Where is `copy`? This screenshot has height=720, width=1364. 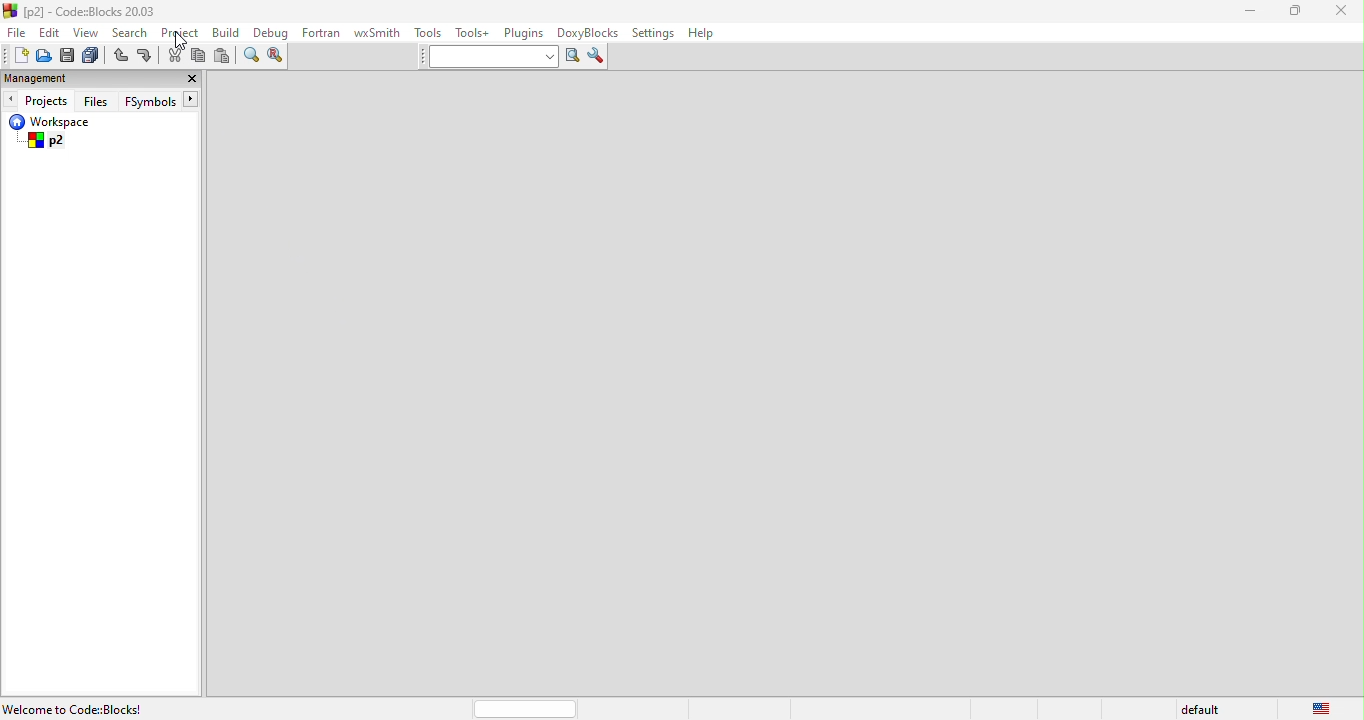 copy is located at coordinates (200, 58).